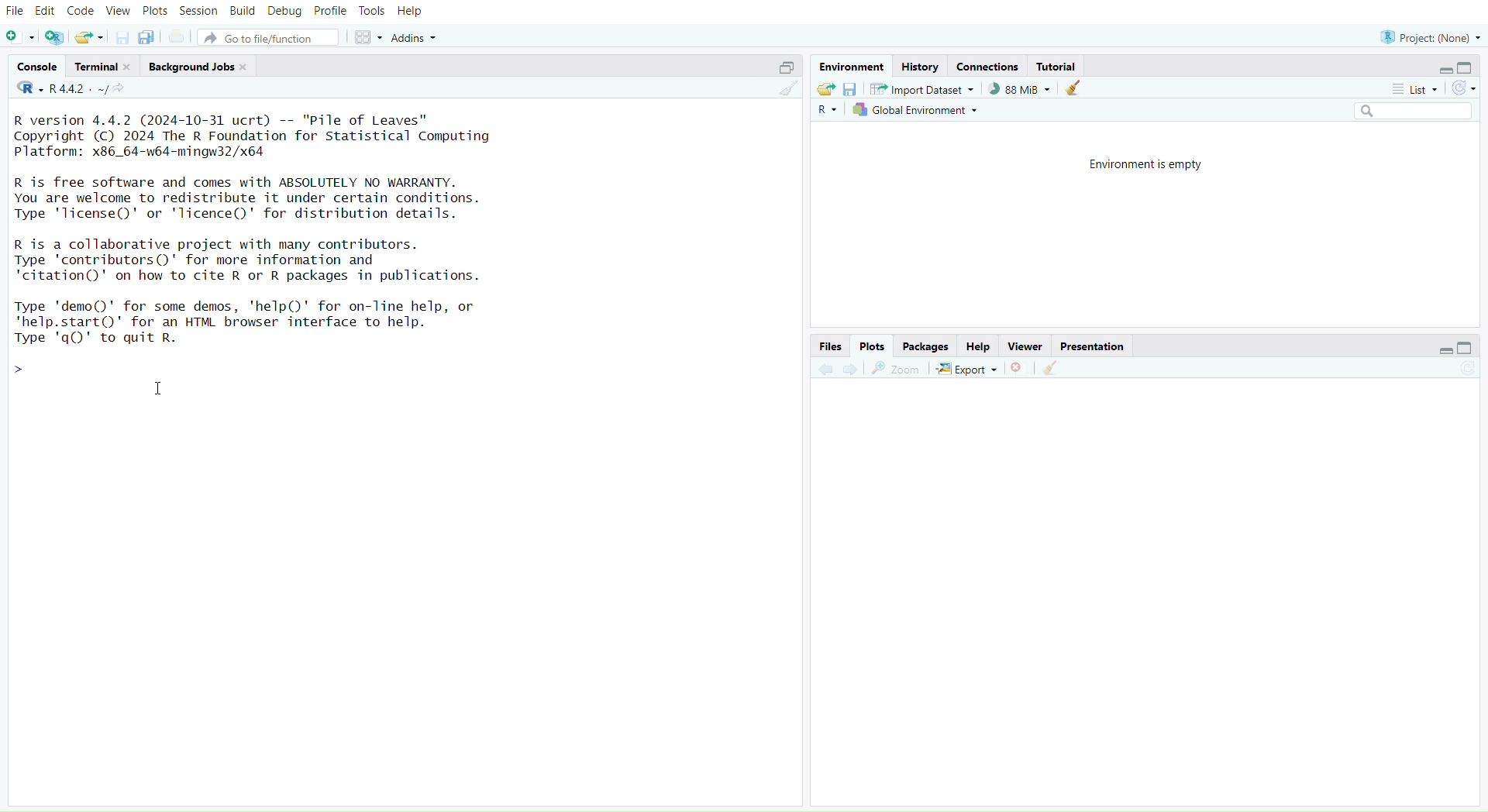 This screenshot has height=812, width=1488. Describe the element at coordinates (919, 68) in the screenshot. I see `history` at that location.